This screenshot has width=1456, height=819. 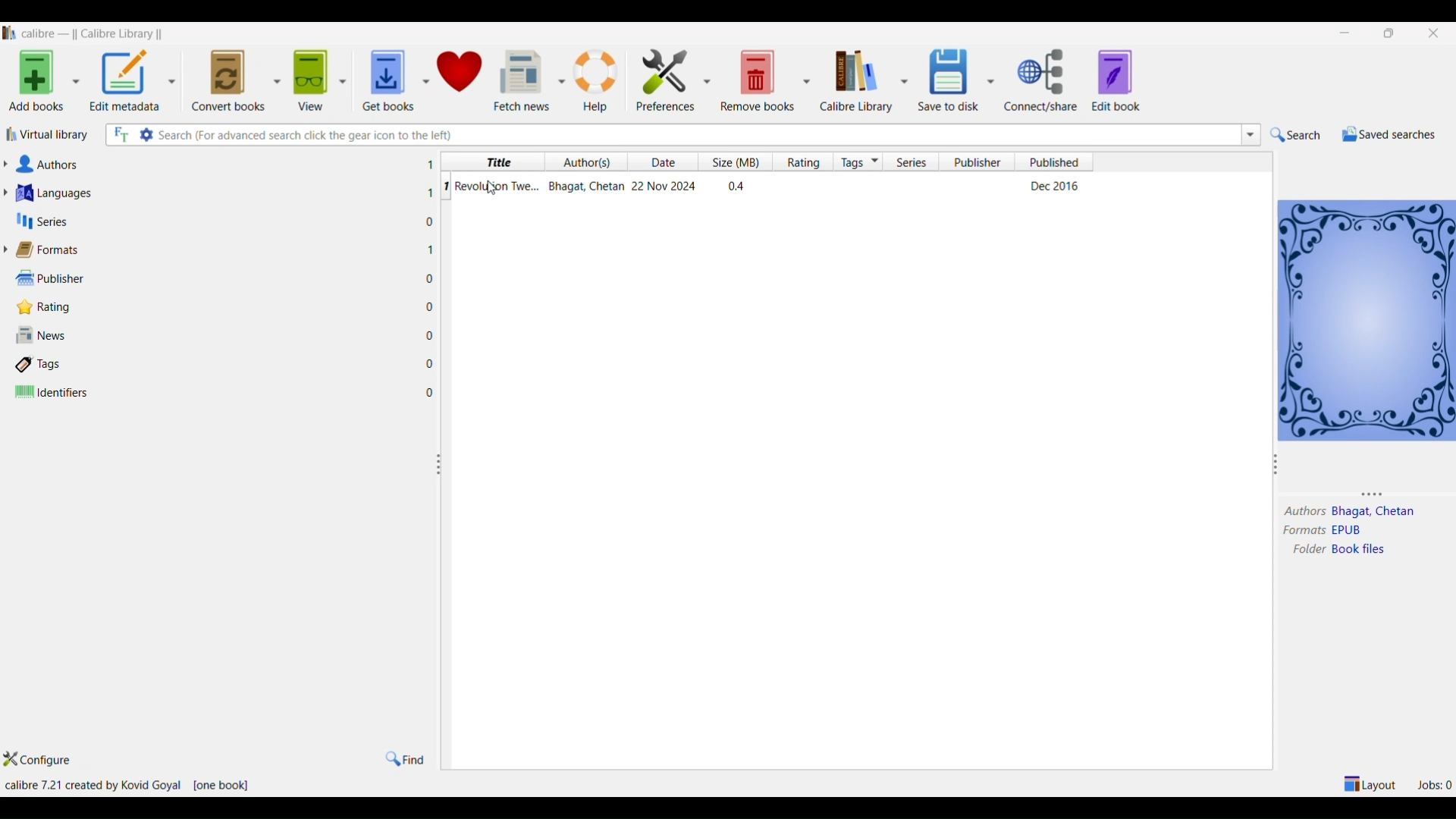 I want to click on resize, so click(x=1379, y=493).